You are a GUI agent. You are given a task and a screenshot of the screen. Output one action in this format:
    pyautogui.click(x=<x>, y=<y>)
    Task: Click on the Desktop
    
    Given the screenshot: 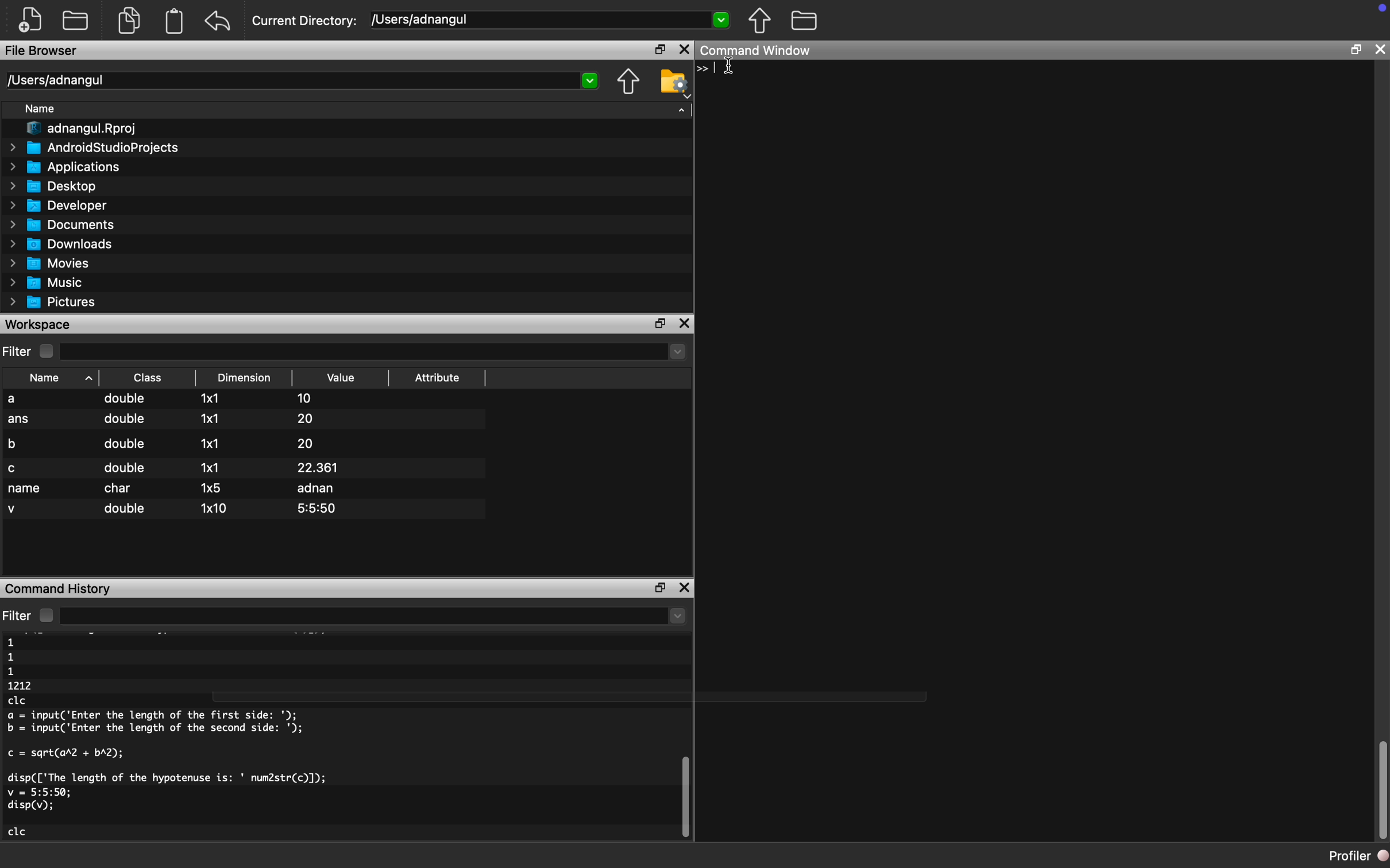 What is the action you would take?
    pyautogui.click(x=52, y=187)
    